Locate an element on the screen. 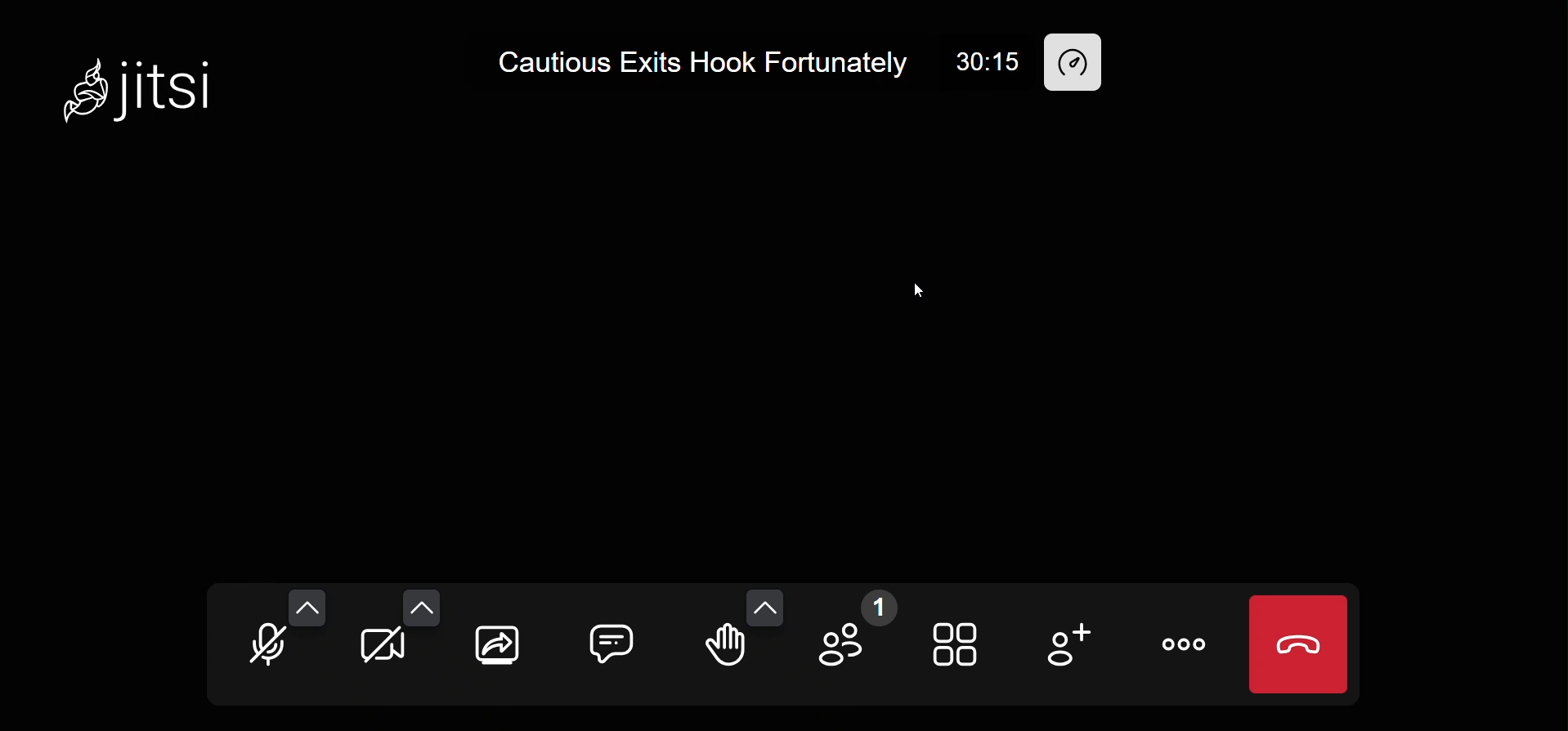  performance setting is located at coordinates (1077, 65).